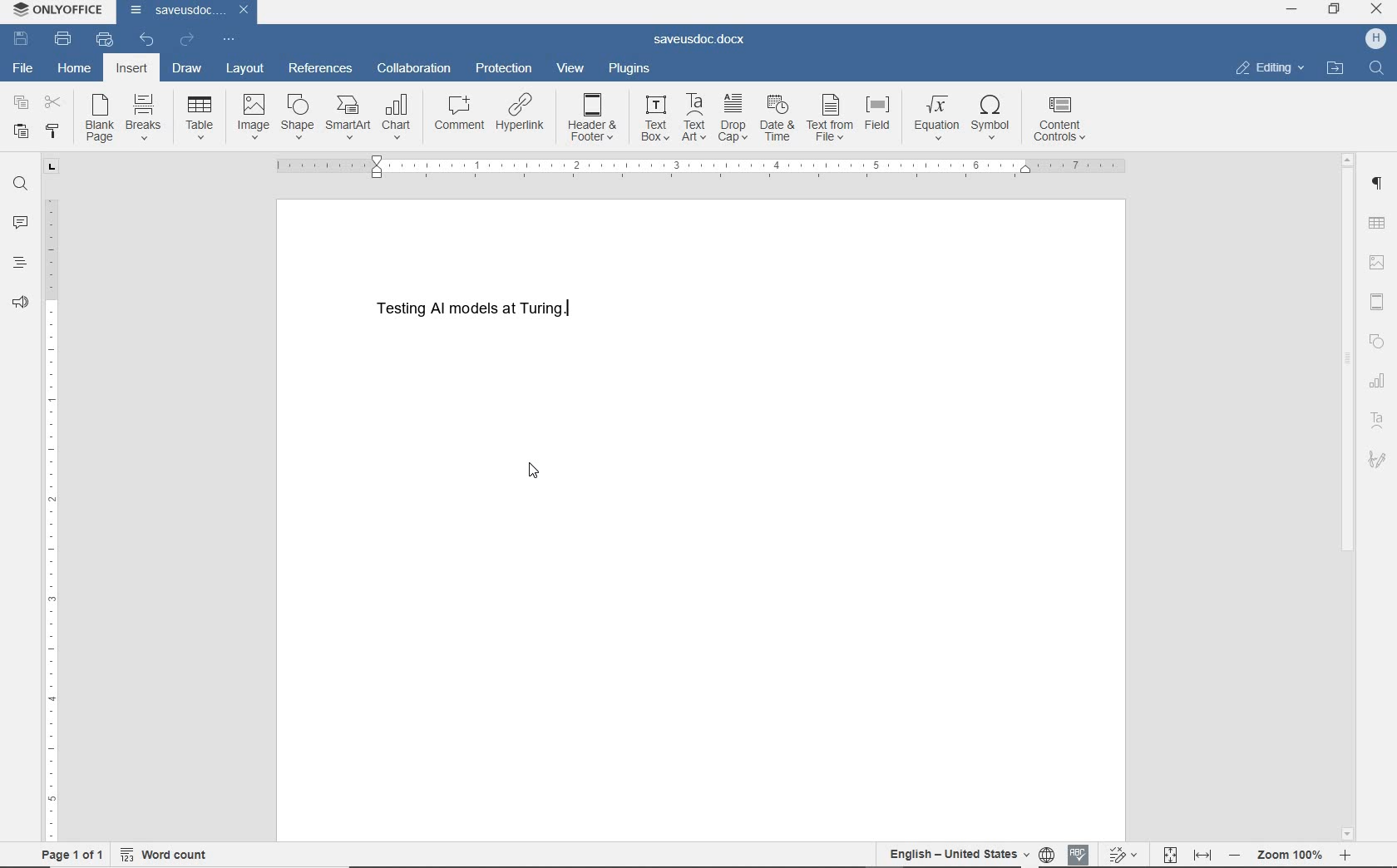 This screenshot has height=868, width=1397. I want to click on hyperlink, so click(521, 116).